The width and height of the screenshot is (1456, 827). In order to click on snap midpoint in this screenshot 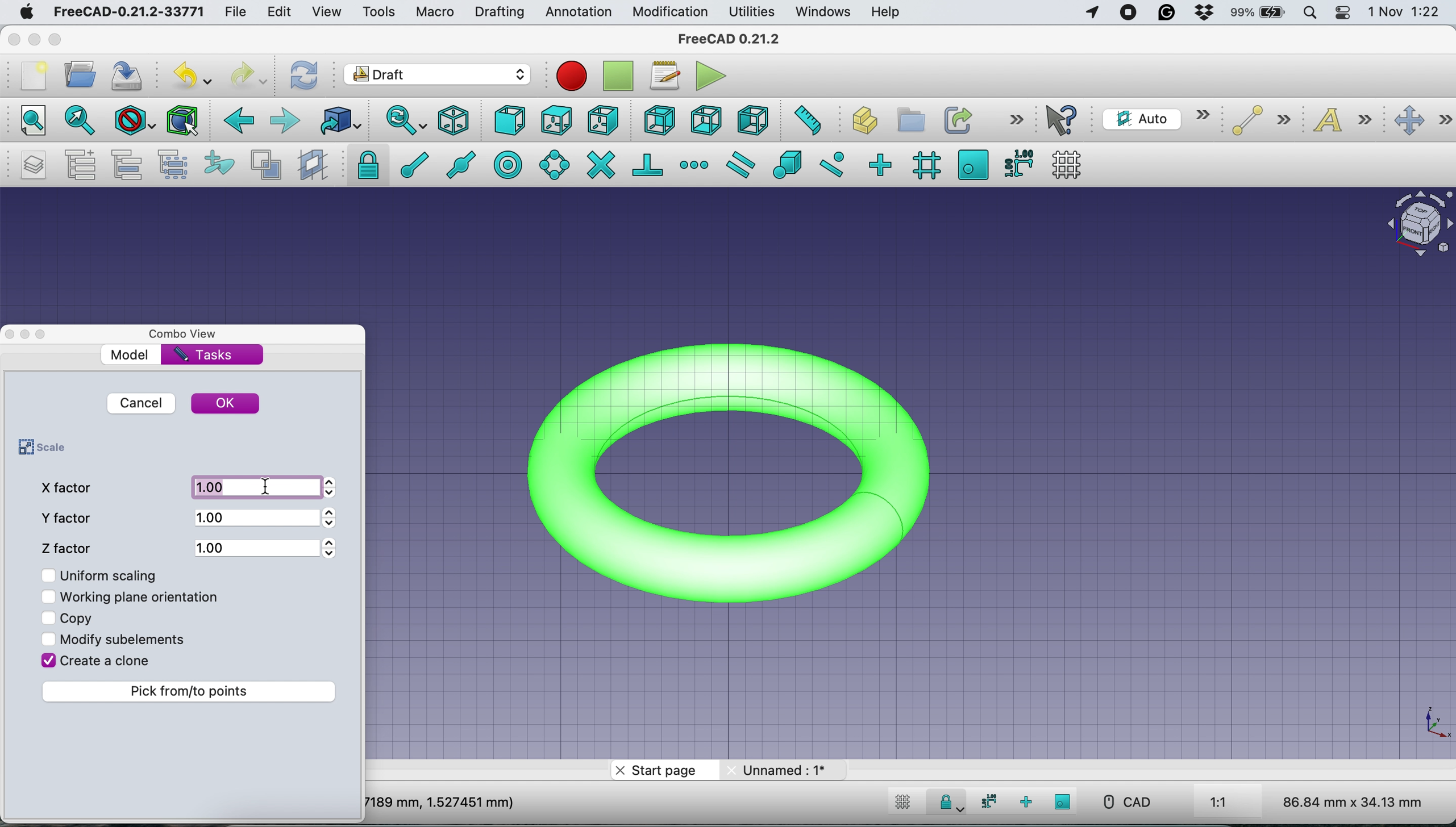, I will do `click(464, 164)`.